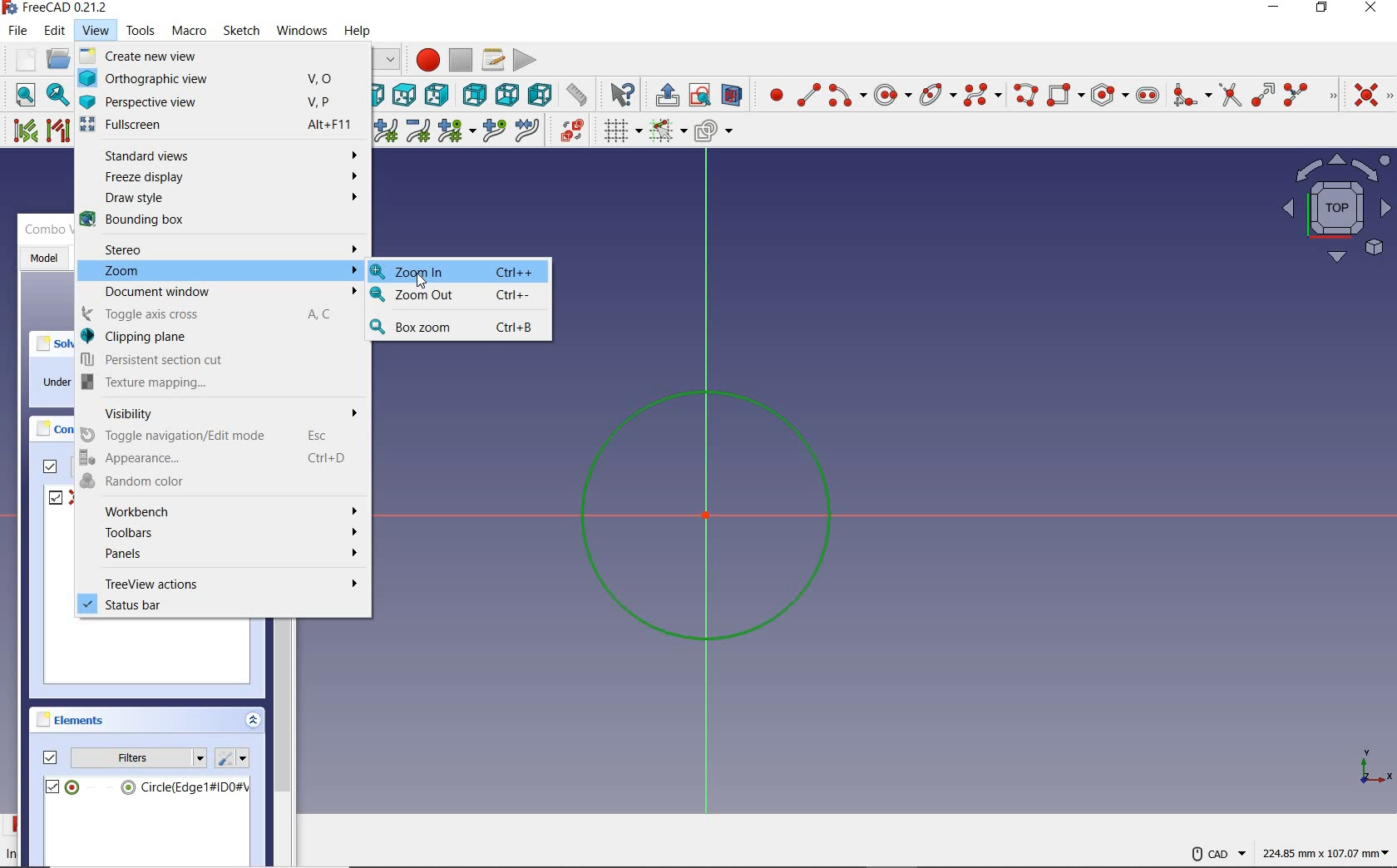 Image resolution: width=1397 pixels, height=868 pixels. Describe the element at coordinates (569, 131) in the screenshot. I see `switch virtual space` at that location.